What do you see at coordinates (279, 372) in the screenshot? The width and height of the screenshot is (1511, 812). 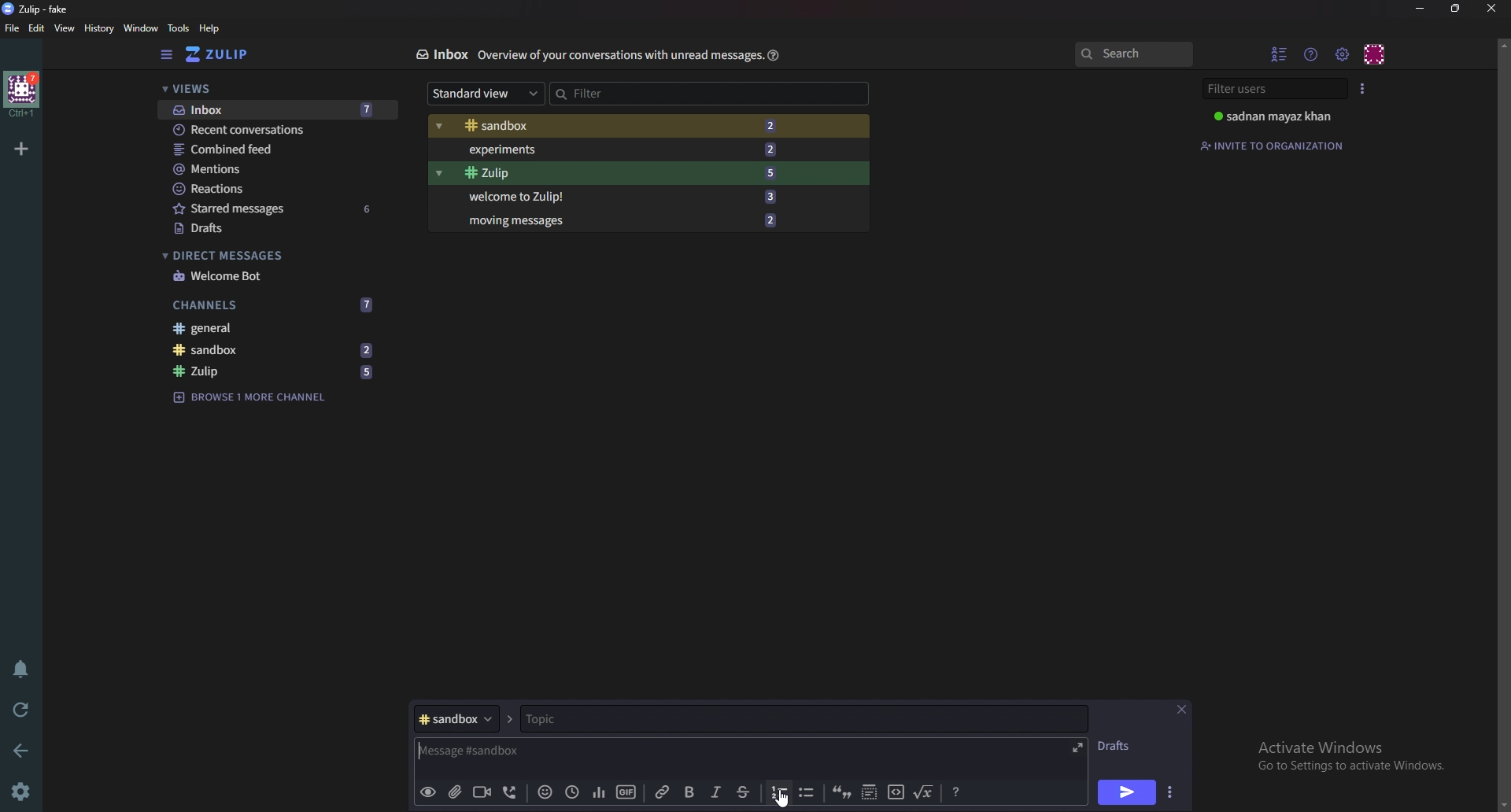 I see `zulip` at bounding box center [279, 372].